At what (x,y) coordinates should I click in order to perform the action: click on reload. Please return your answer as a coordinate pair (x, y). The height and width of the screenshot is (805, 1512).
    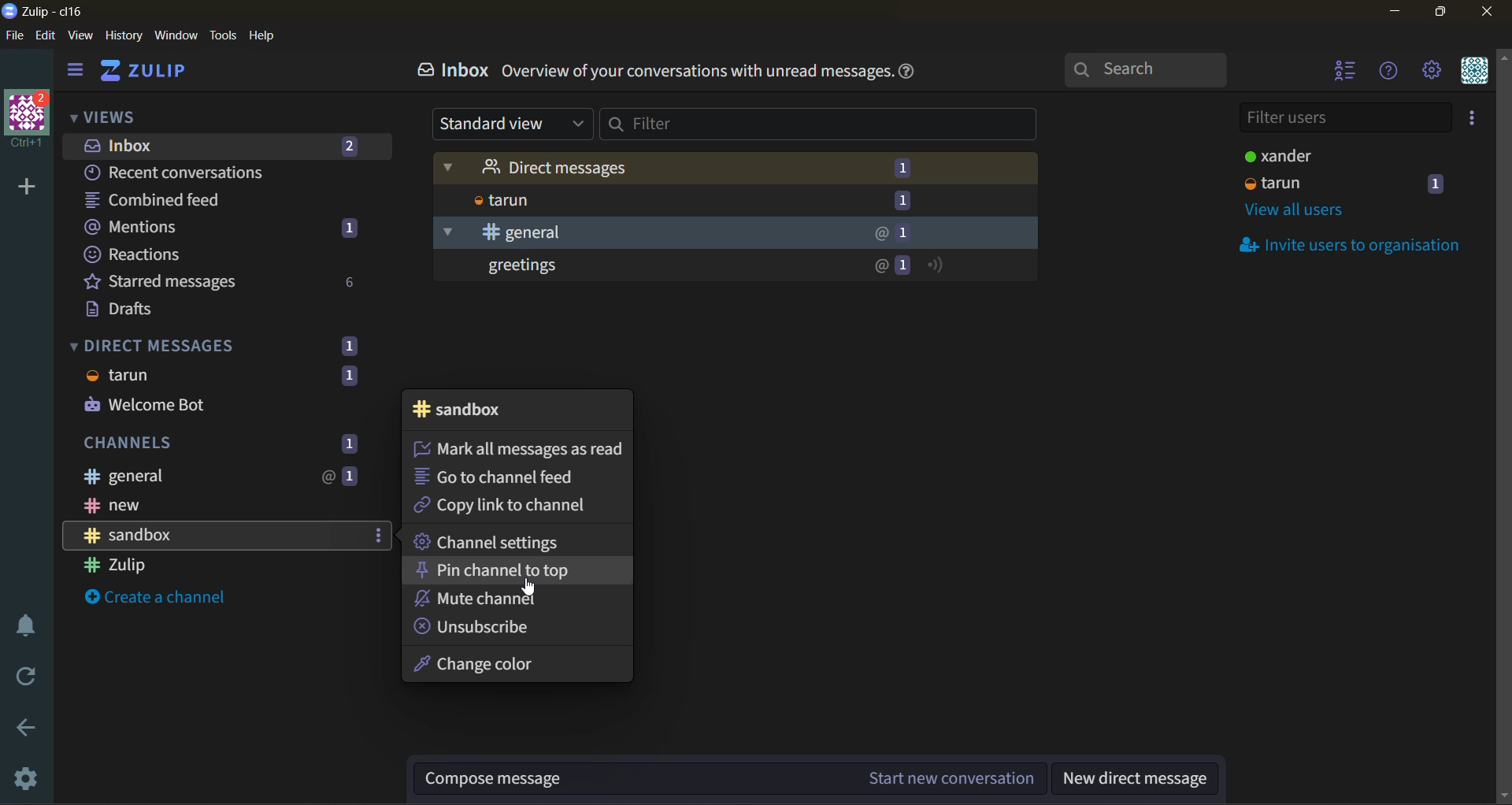
    Looking at the image, I should click on (20, 678).